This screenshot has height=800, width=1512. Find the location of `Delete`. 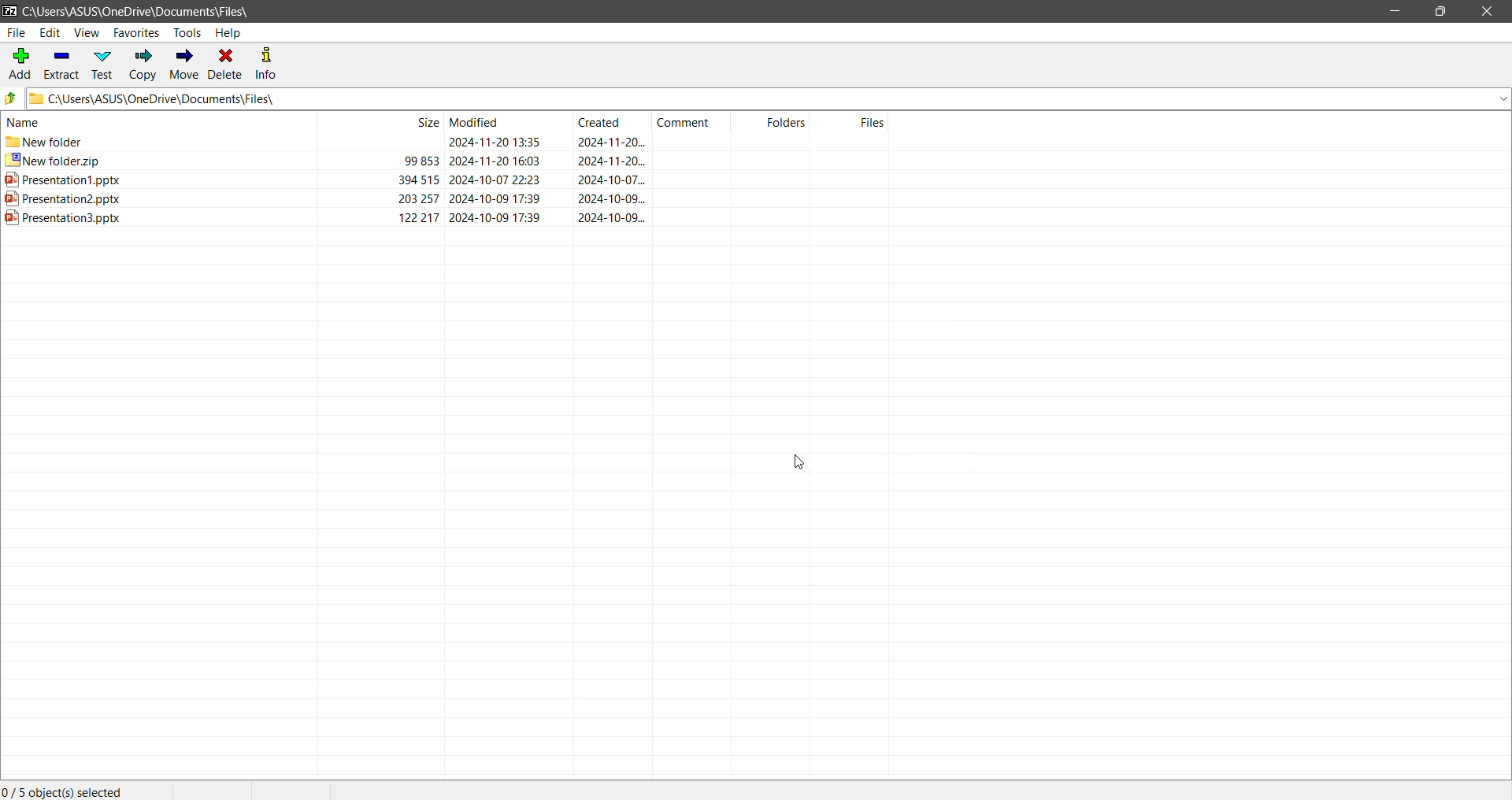

Delete is located at coordinates (227, 64).